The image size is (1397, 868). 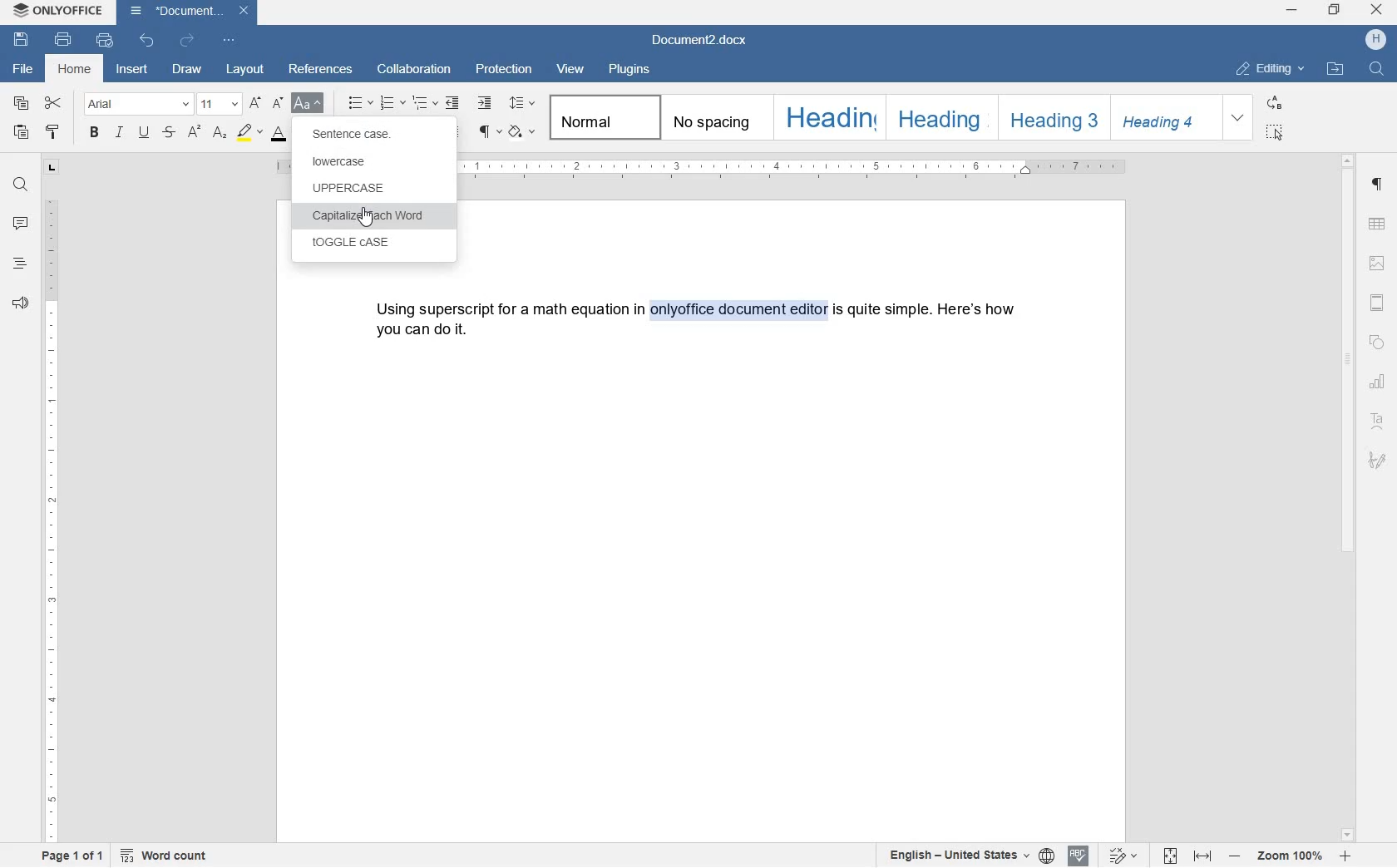 I want to click on print, so click(x=63, y=40).